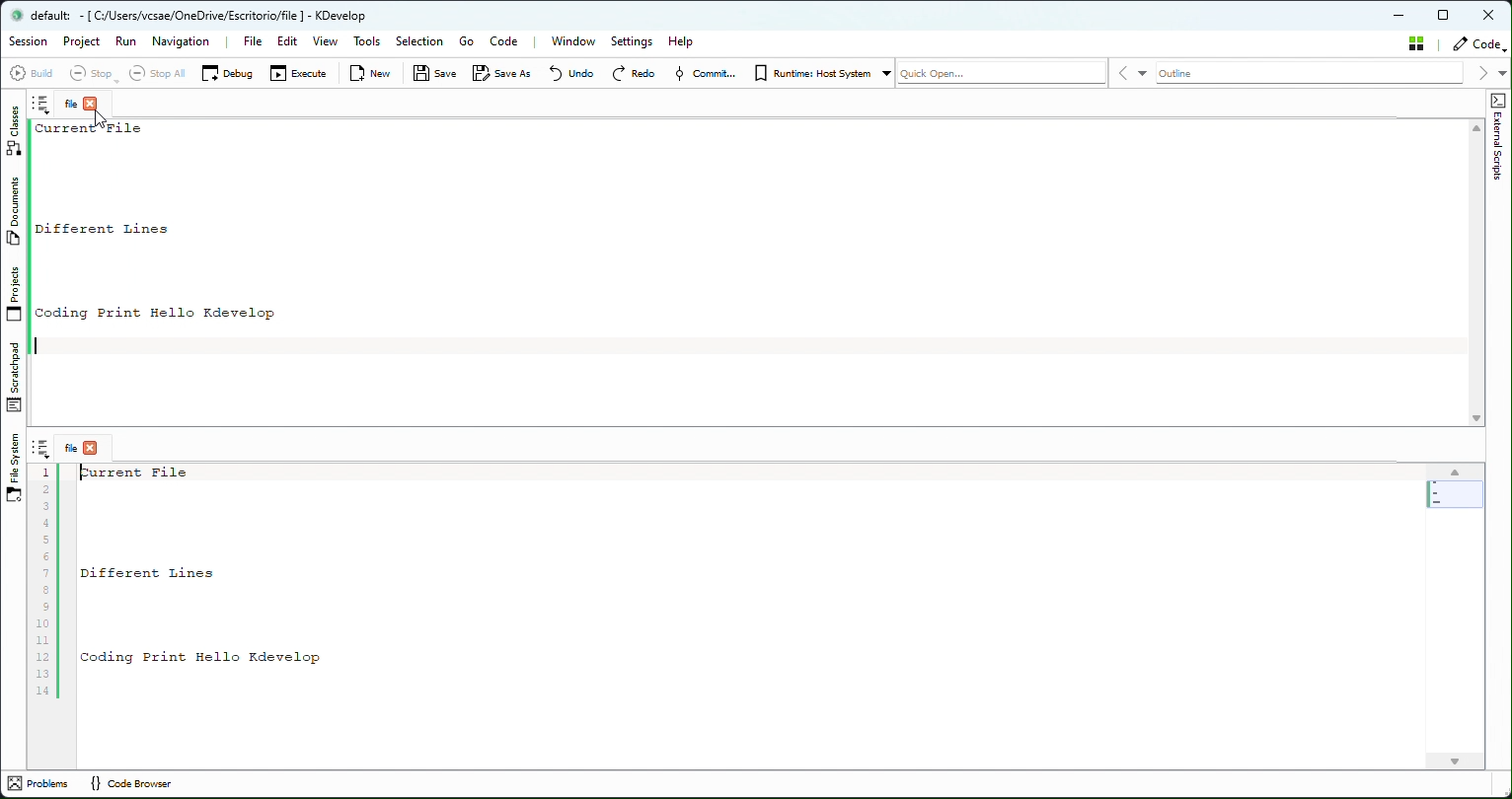 The image size is (1512, 799). I want to click on Scroll Up, so click(1474, 129).